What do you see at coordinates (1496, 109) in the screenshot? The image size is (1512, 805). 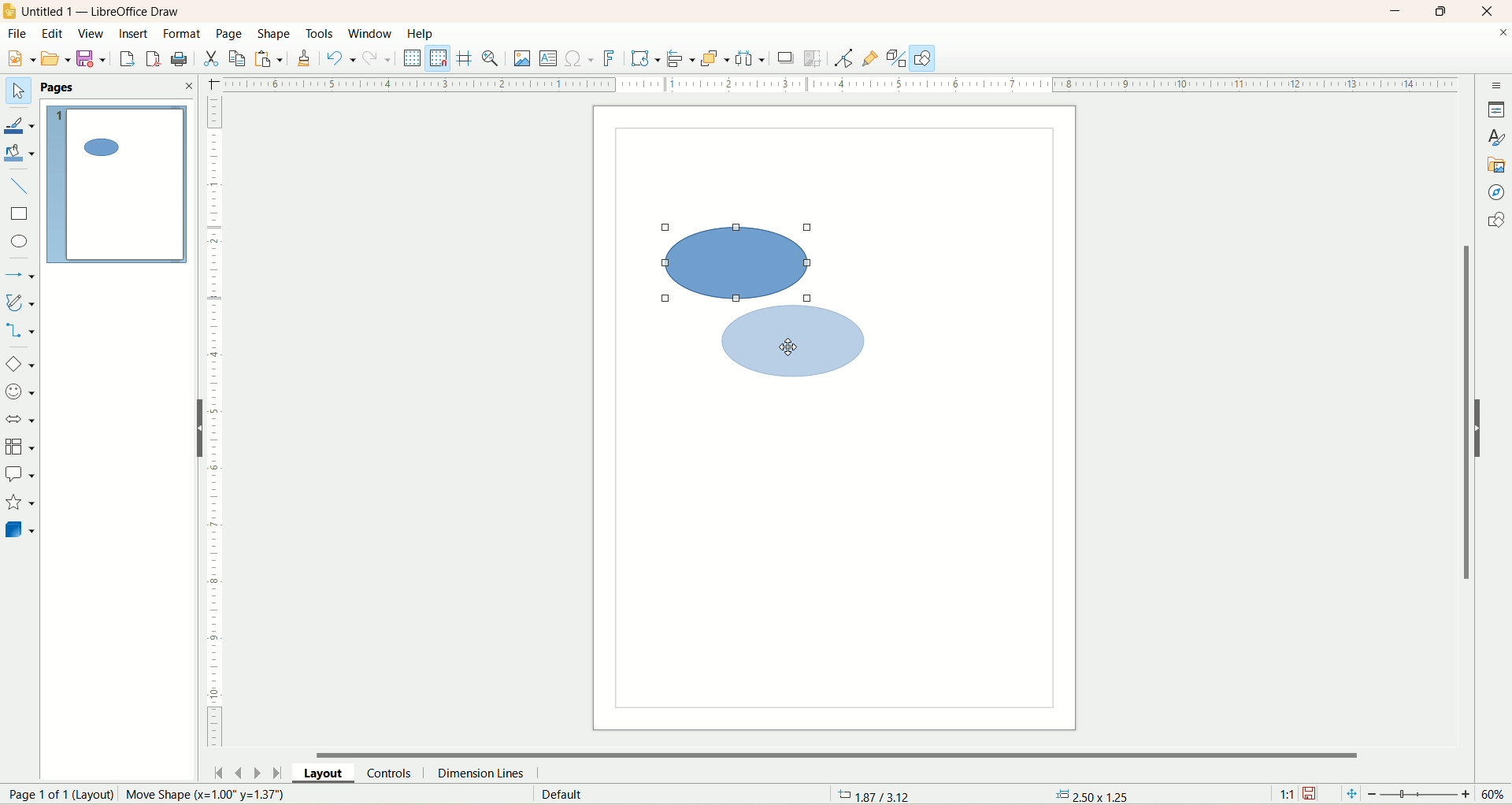 I see `properties` at bounding box center [1496, 109].